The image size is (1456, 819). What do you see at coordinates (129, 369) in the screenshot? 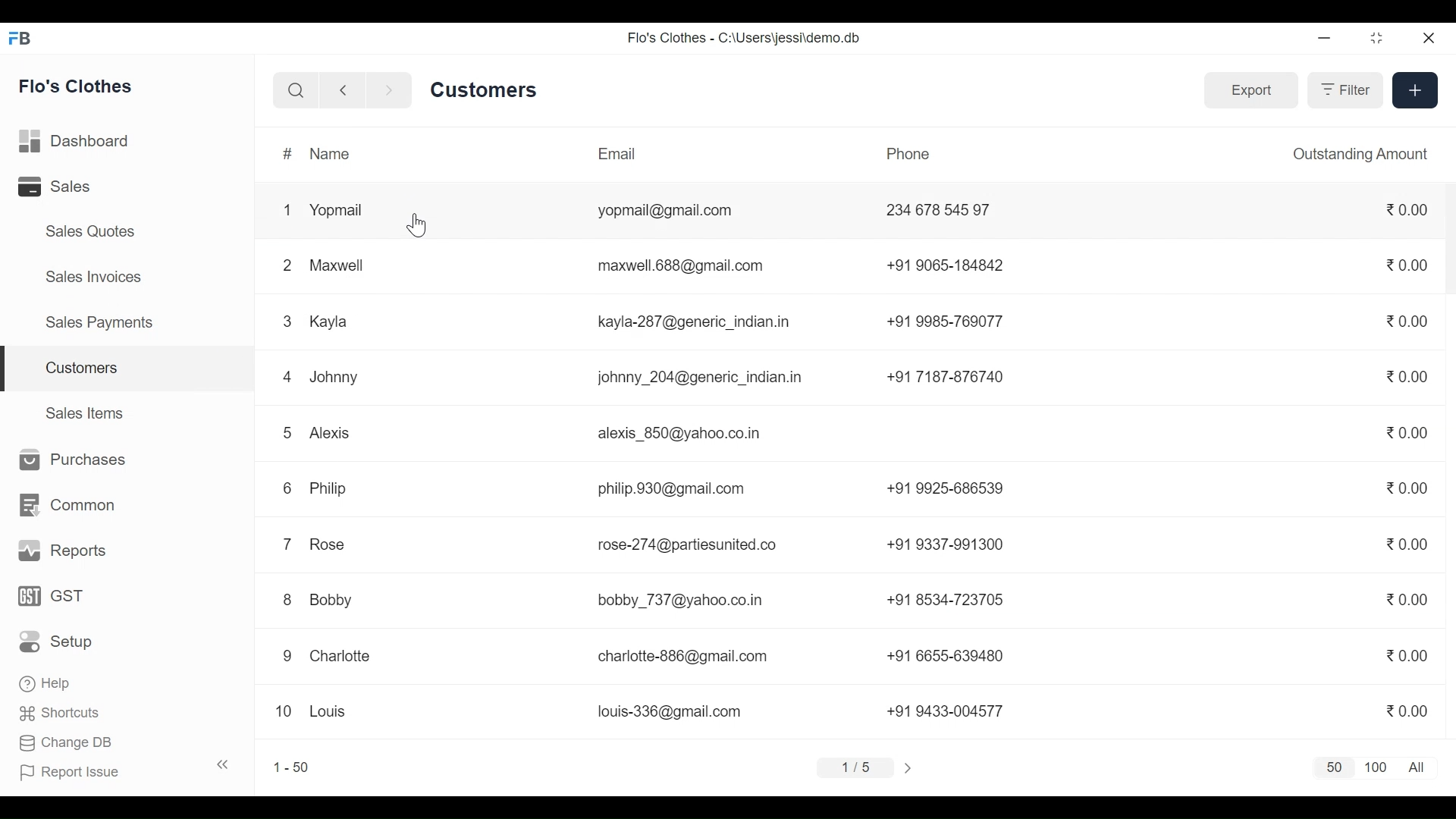
I see `Customers` at bounding box center [129, 369].